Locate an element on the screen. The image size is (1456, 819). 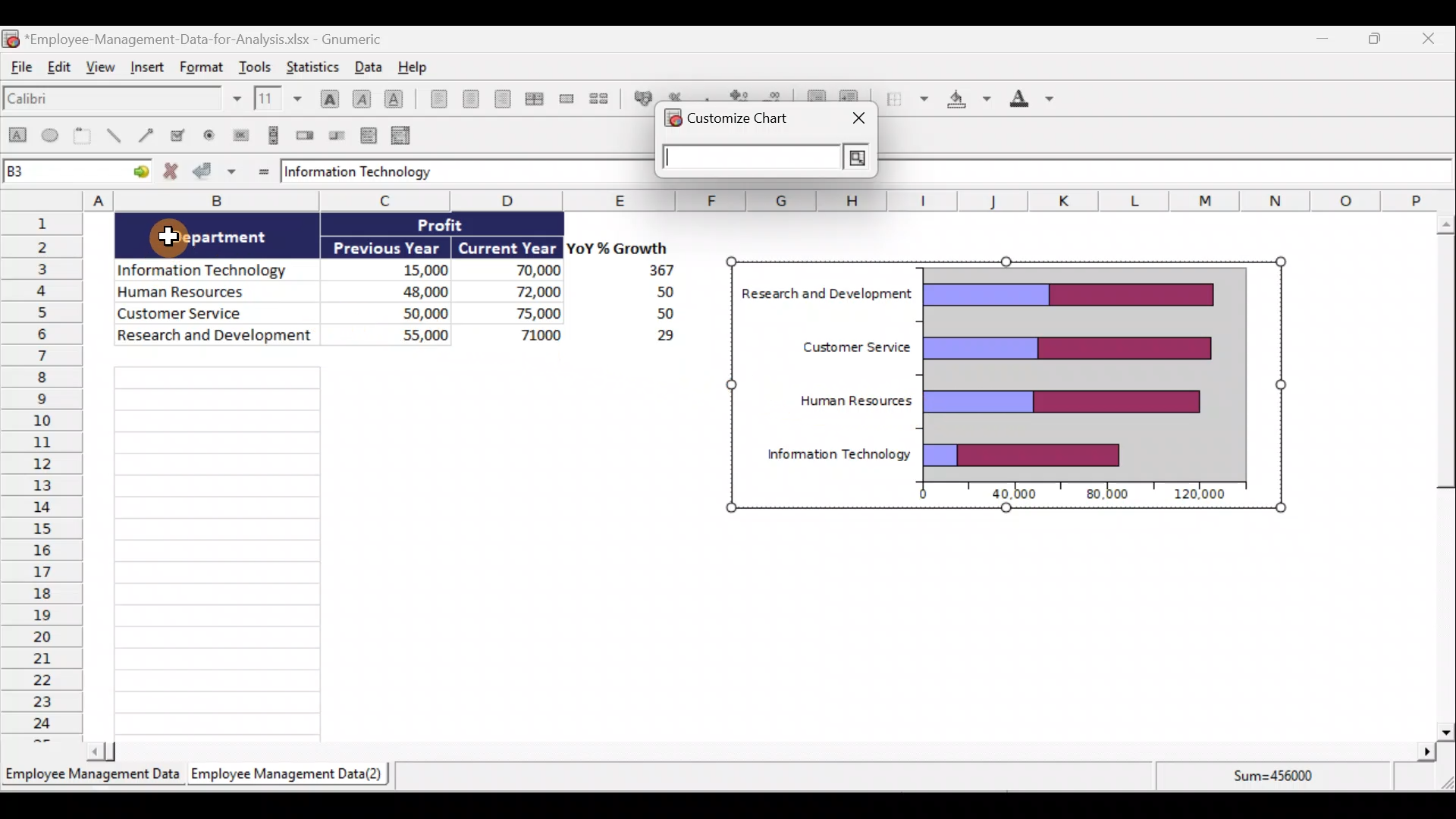
Background is located at coordinates (968, 102).